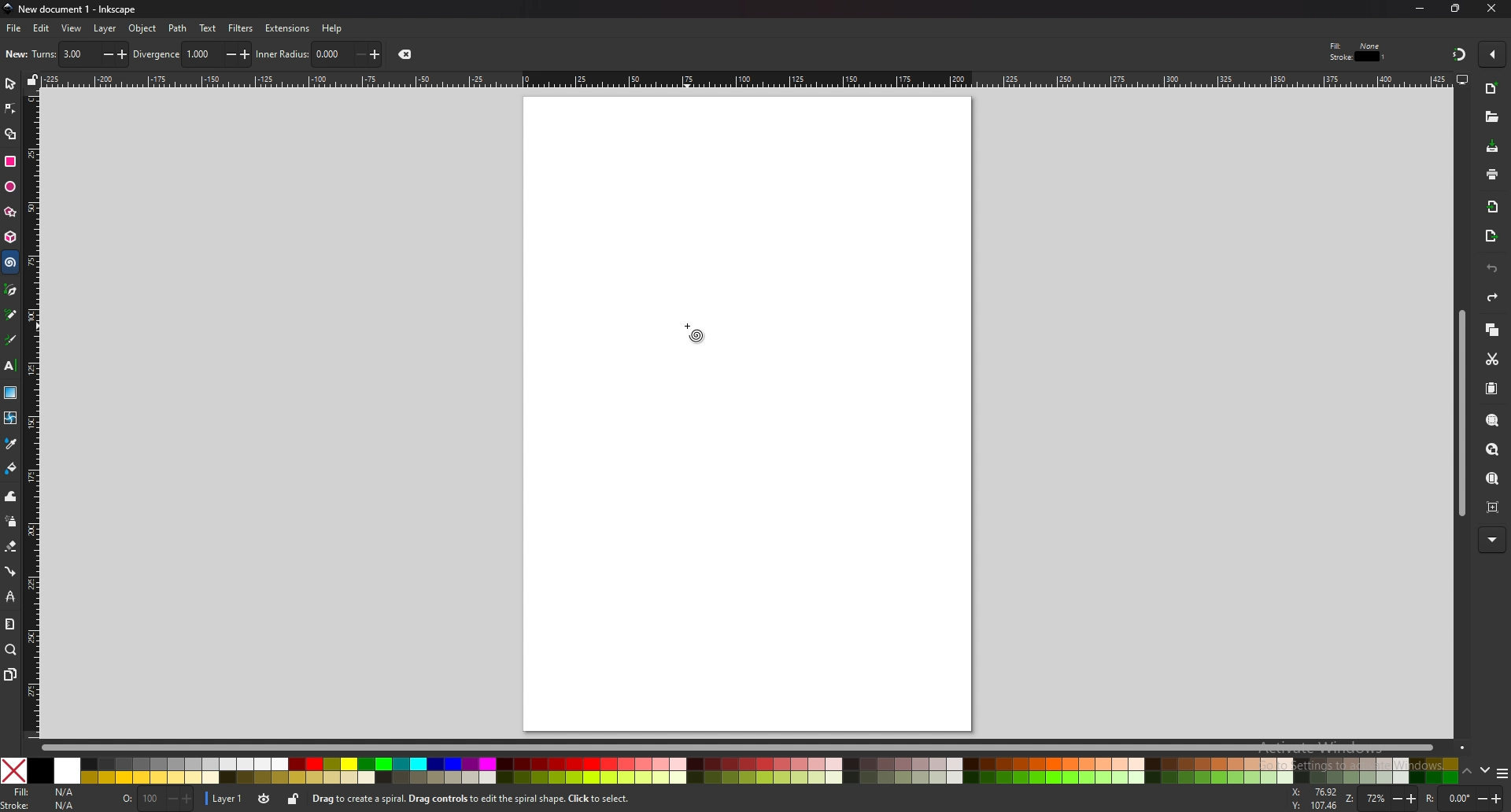  Describe the element at coordinates (242, 28) in the screenshot. I see `filters` at that location.